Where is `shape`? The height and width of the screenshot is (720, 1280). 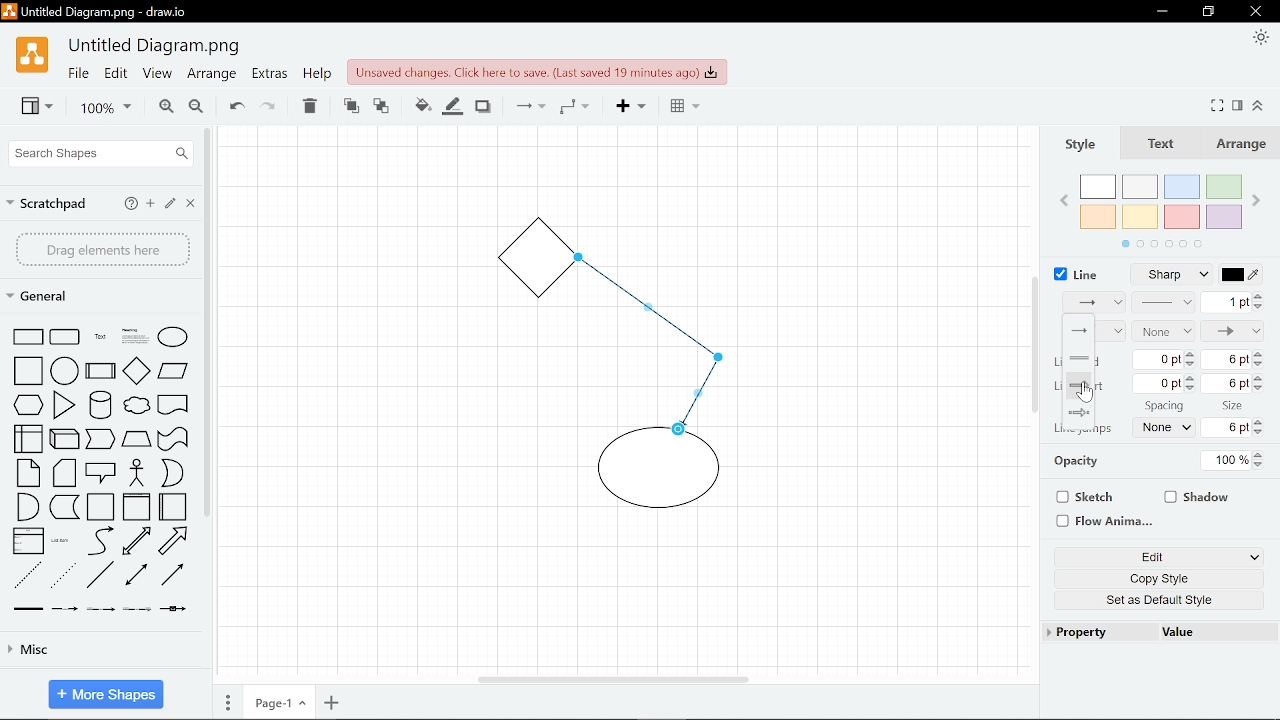
shape is located at coordinates (136, 508).